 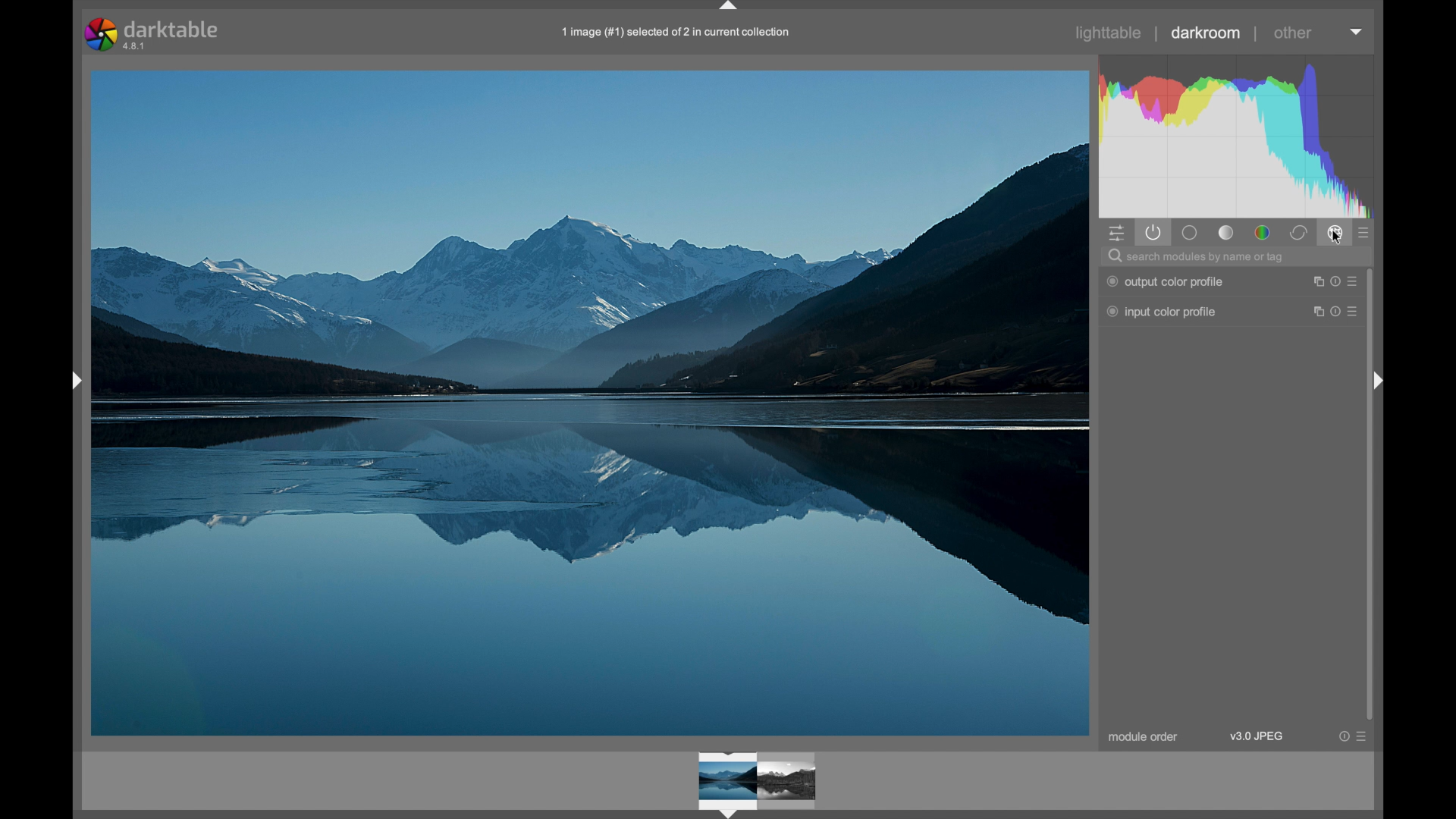 I want to click on lighttable, so click(x=1109, y=33).